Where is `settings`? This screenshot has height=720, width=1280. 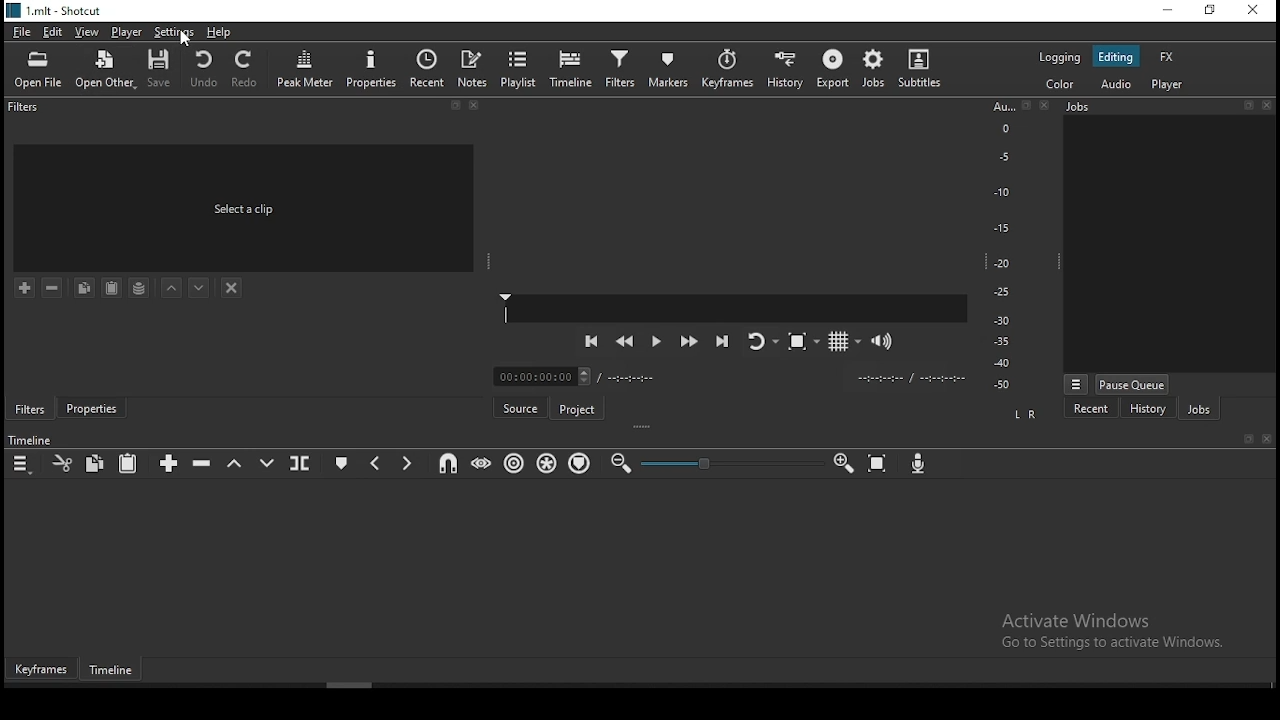
settings is located at coordinates (172, 32).